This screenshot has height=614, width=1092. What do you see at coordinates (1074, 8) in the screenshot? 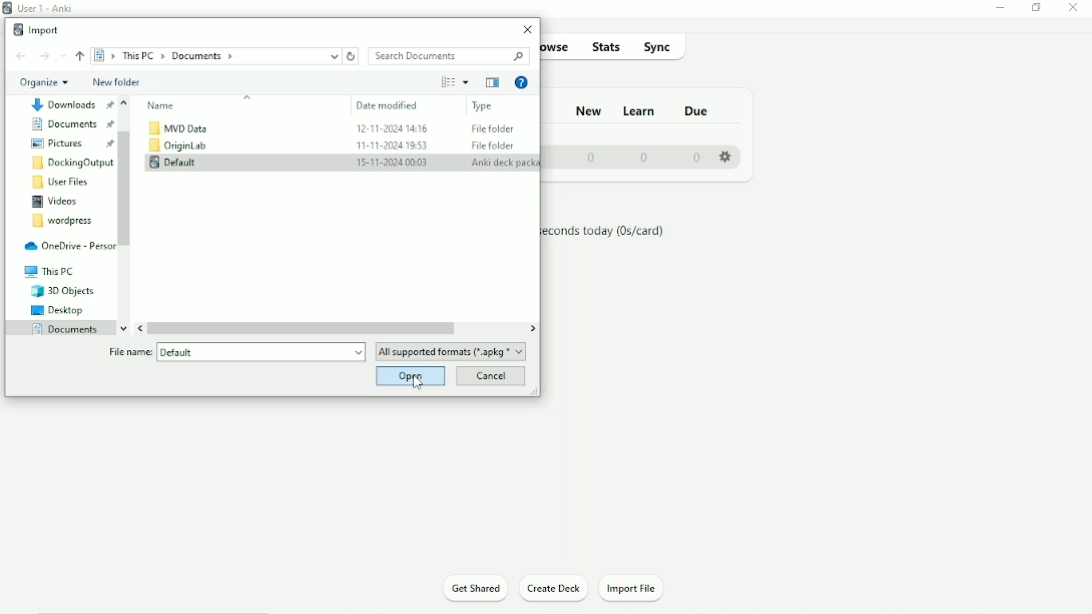
I see `Close` at bounding box center [1074, 8].